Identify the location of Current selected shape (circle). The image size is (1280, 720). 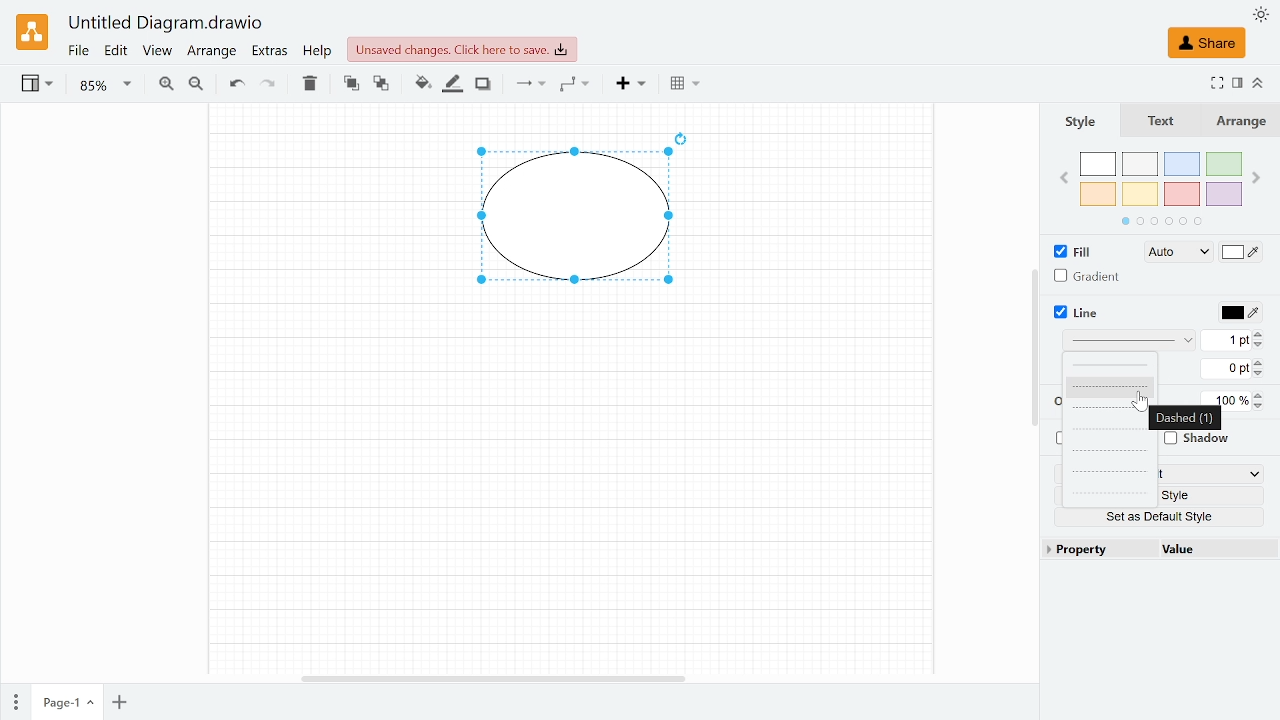
(566, 220).